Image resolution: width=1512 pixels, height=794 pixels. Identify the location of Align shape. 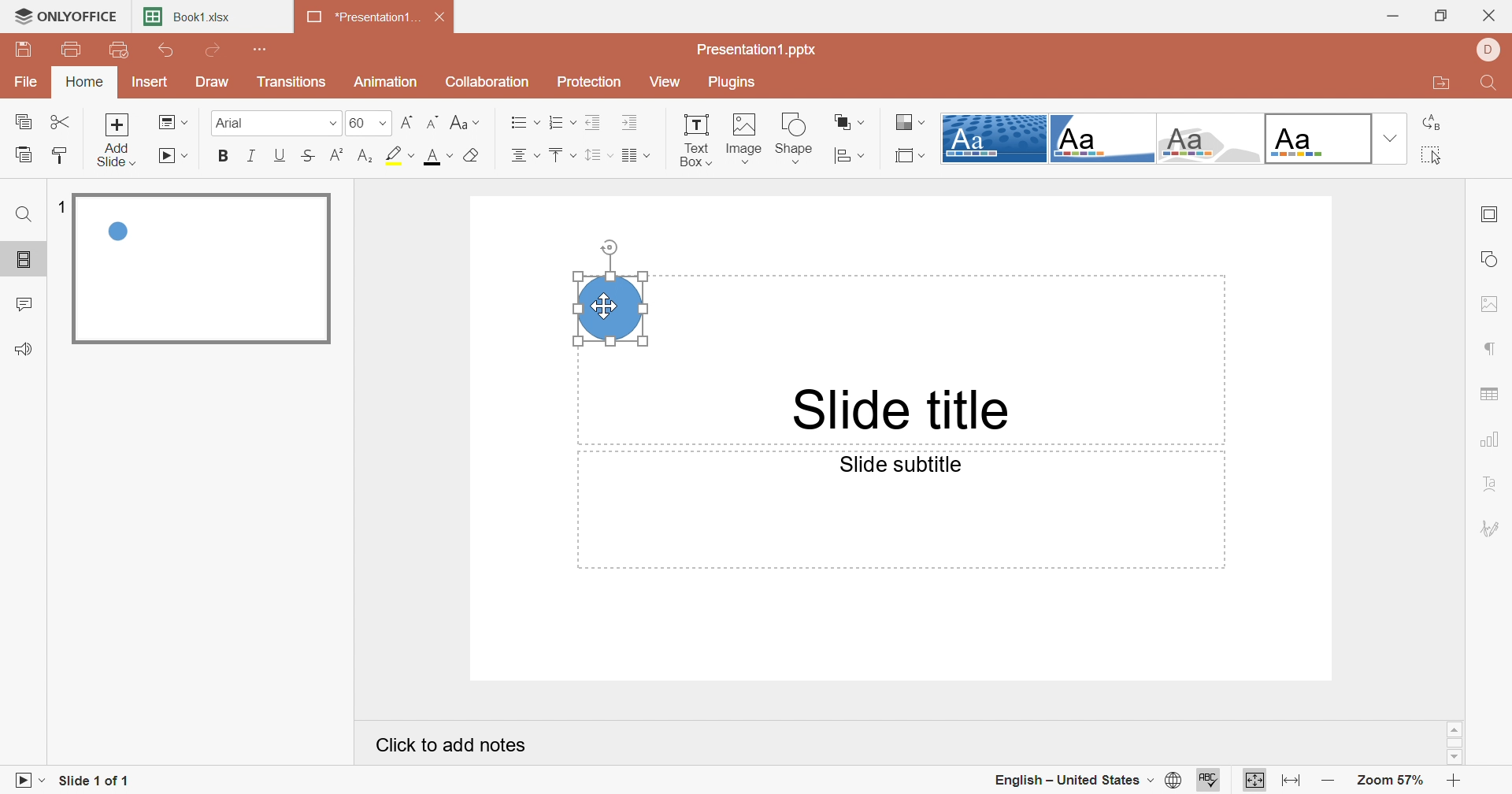
(851, 156).